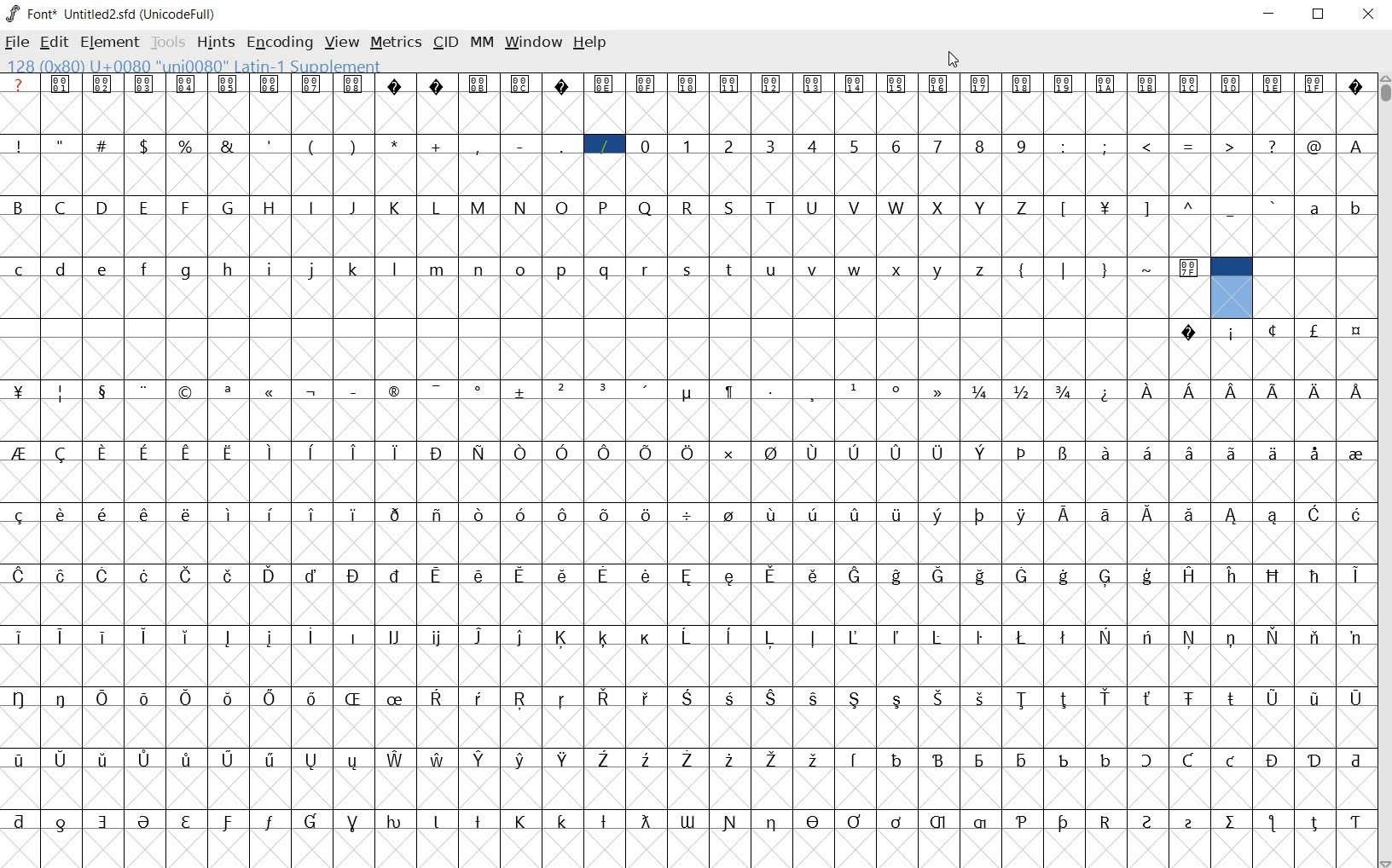  Describe the element at coordinates (216, 43) in the screenshot. I see `hints` at that location.